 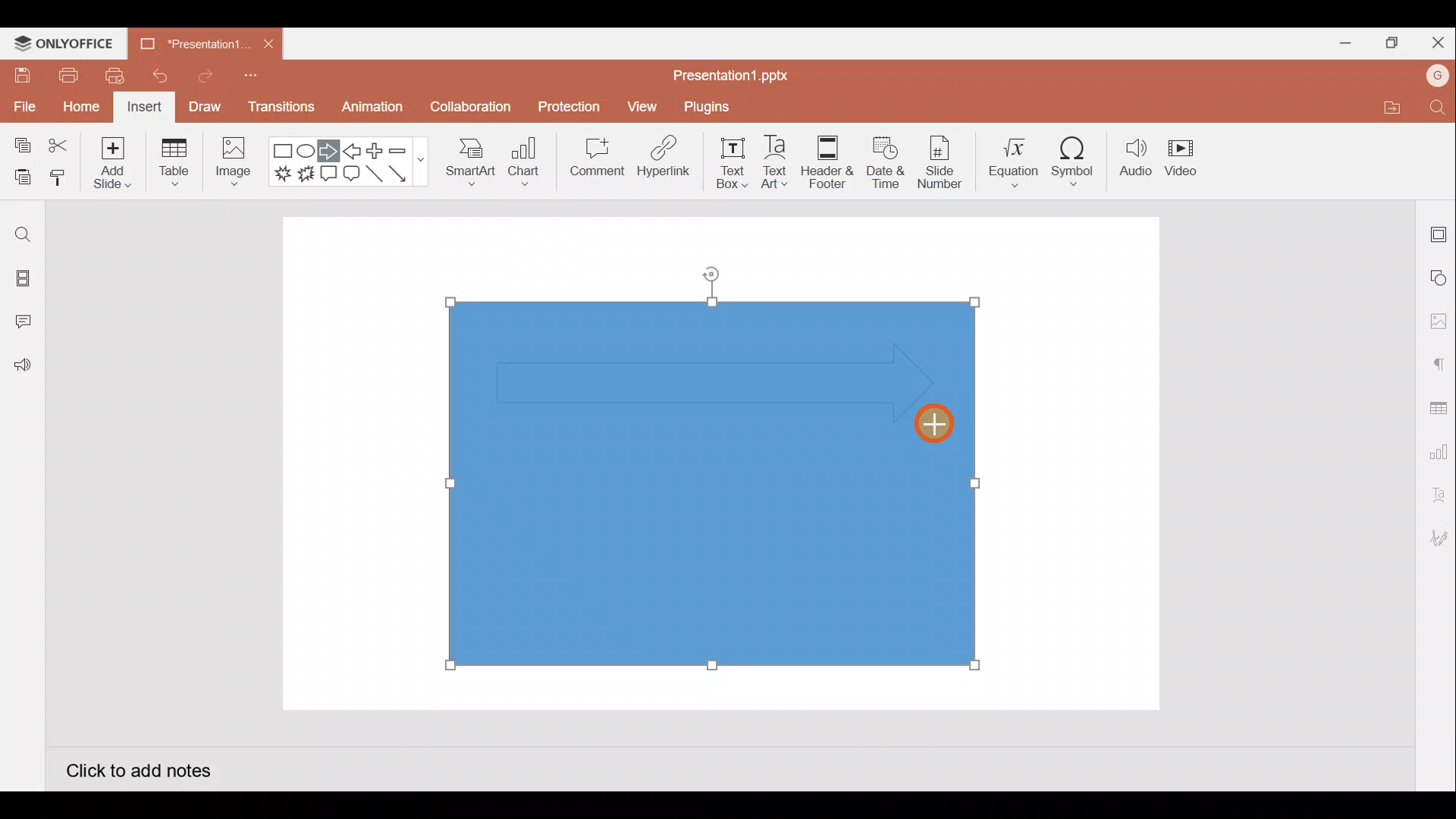 What do you see at coordinates (1389, 107) in the screenshot?
I see `Open file location` at bounding box center [1389, 107].